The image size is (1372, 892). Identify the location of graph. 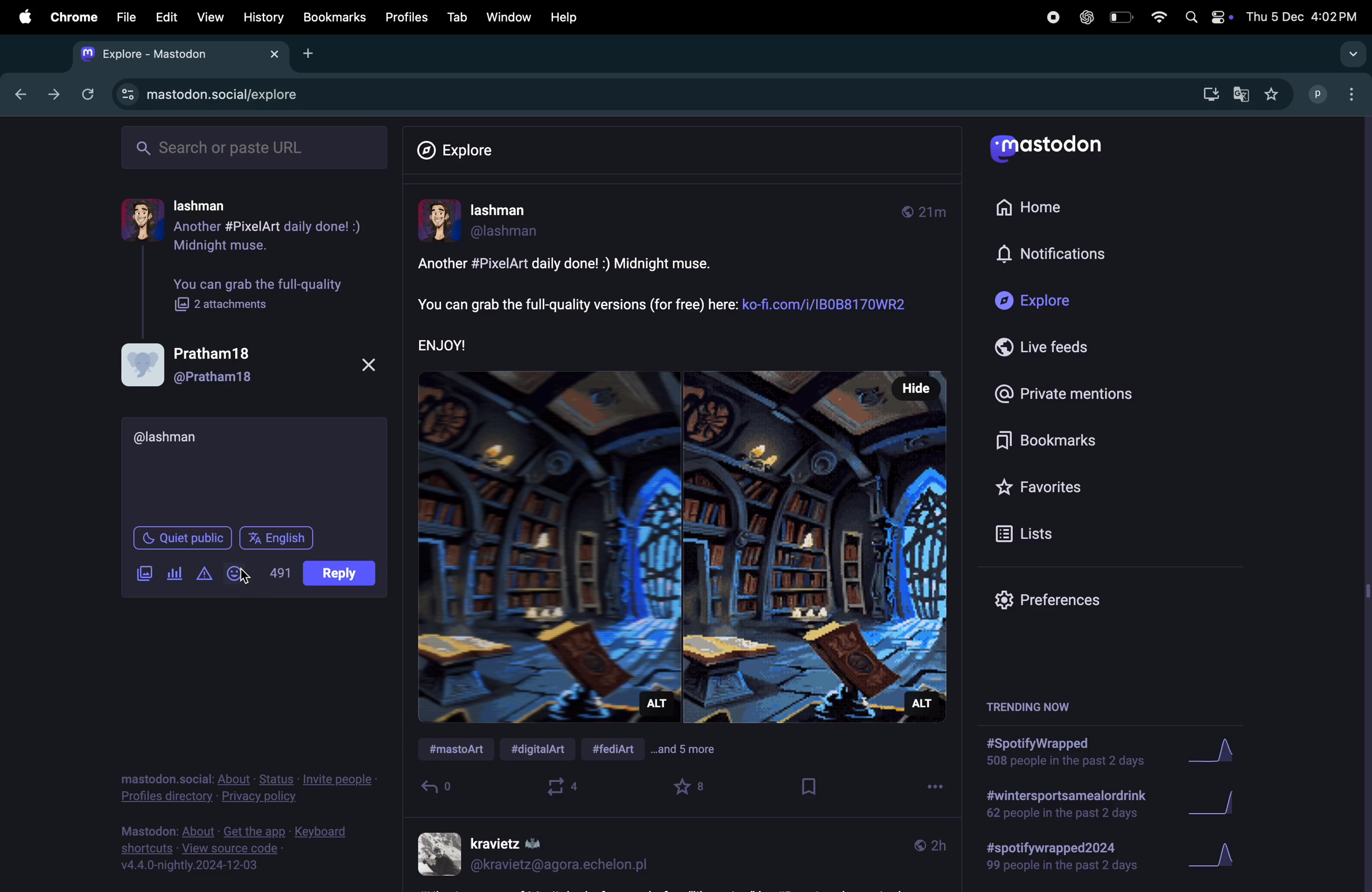
(1217, 754).